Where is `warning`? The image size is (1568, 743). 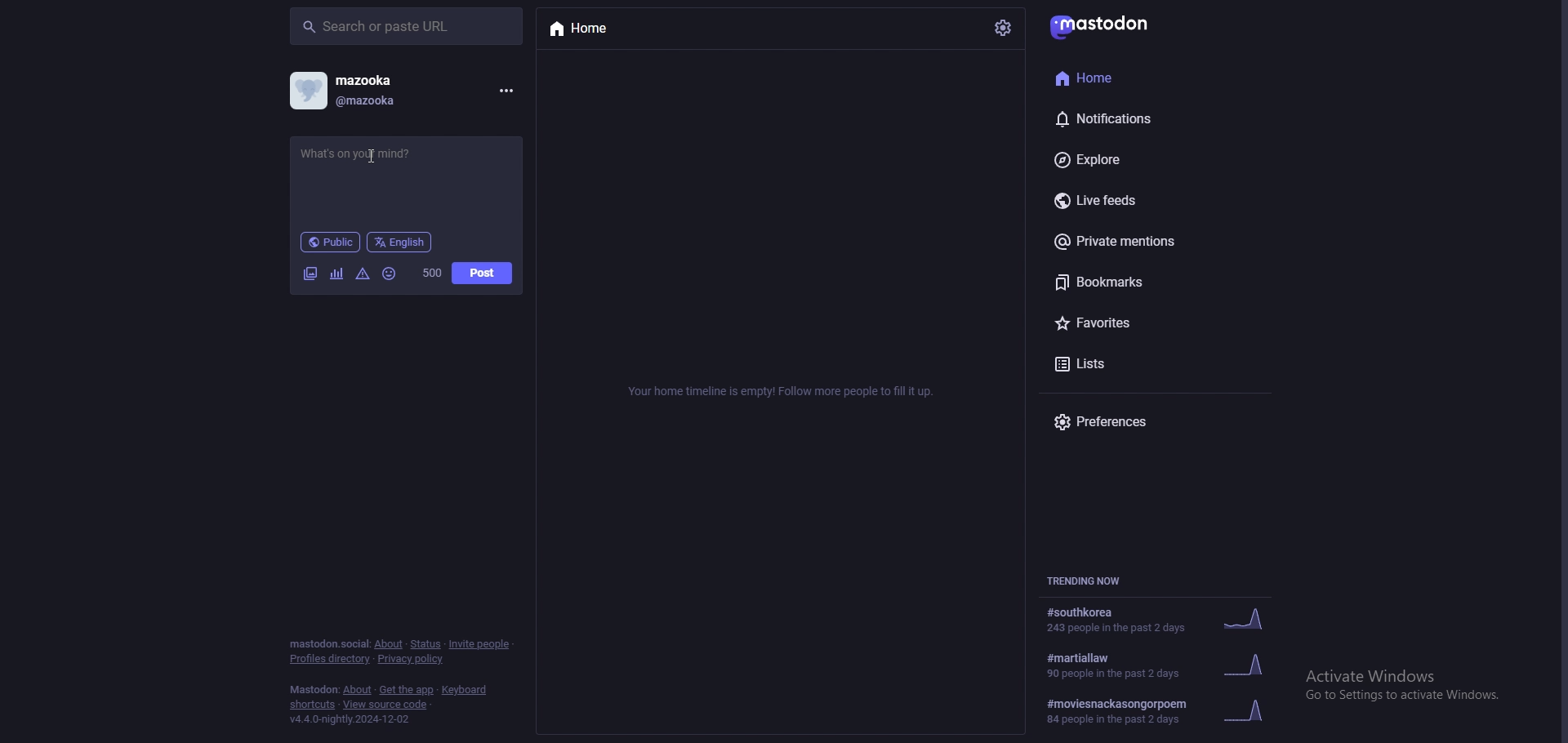 warning is located at coordinates (363, 274).